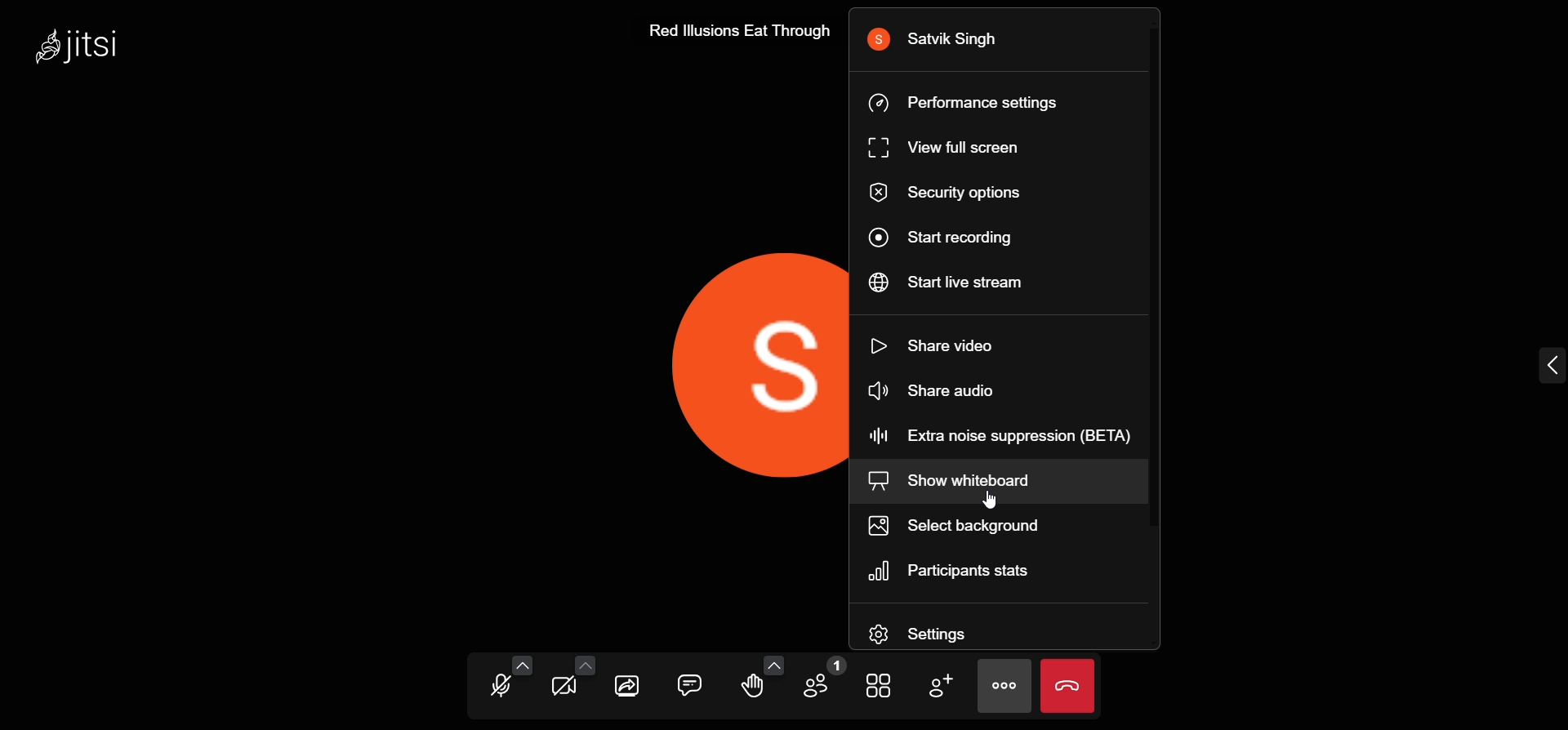 This screenshot has width=1568, height=730. Describe the element at coordinates (951, 630) in the screenshot. I see `setting` at that location.